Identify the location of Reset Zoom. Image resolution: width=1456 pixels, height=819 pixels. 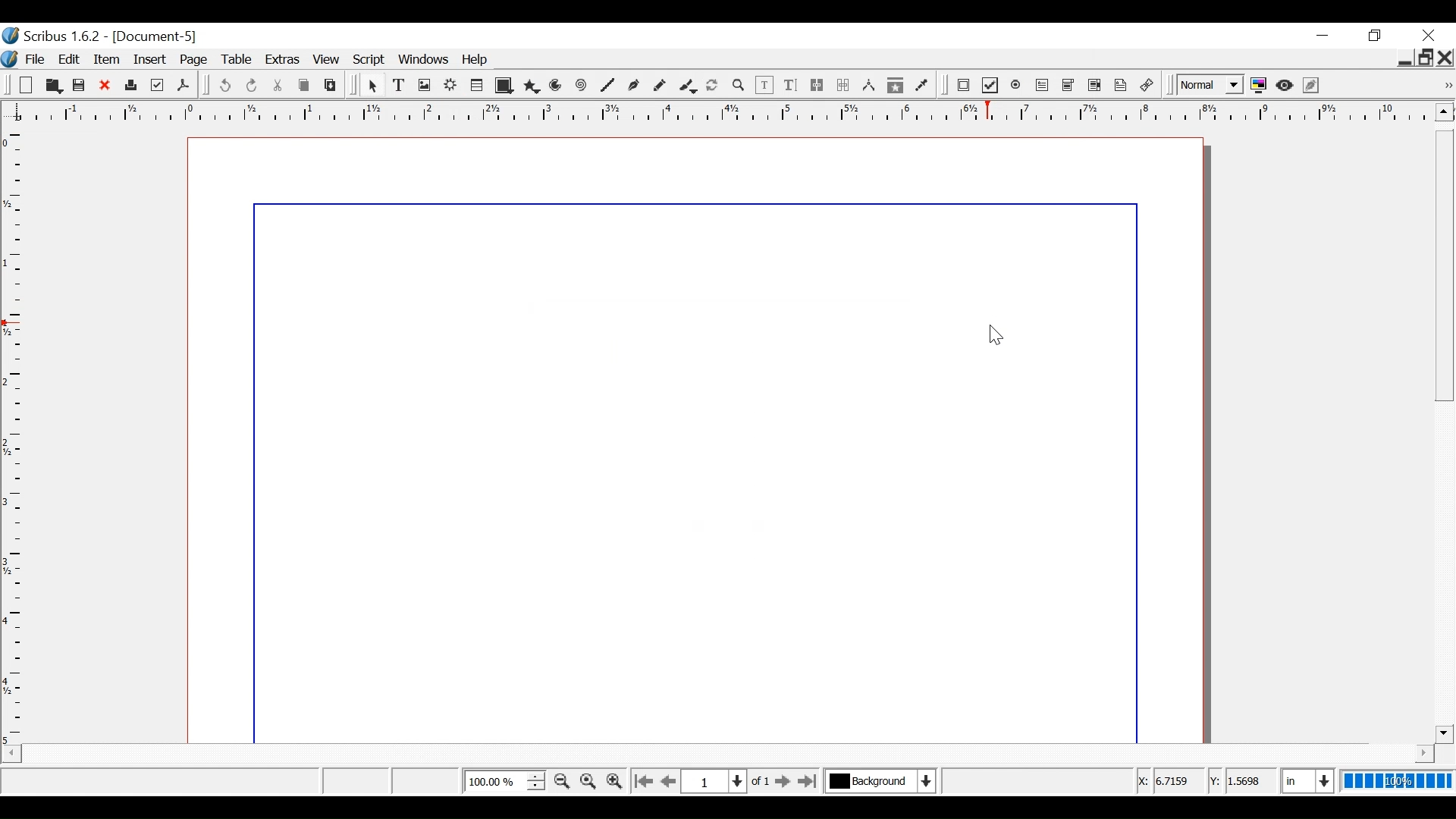
(589, 780).